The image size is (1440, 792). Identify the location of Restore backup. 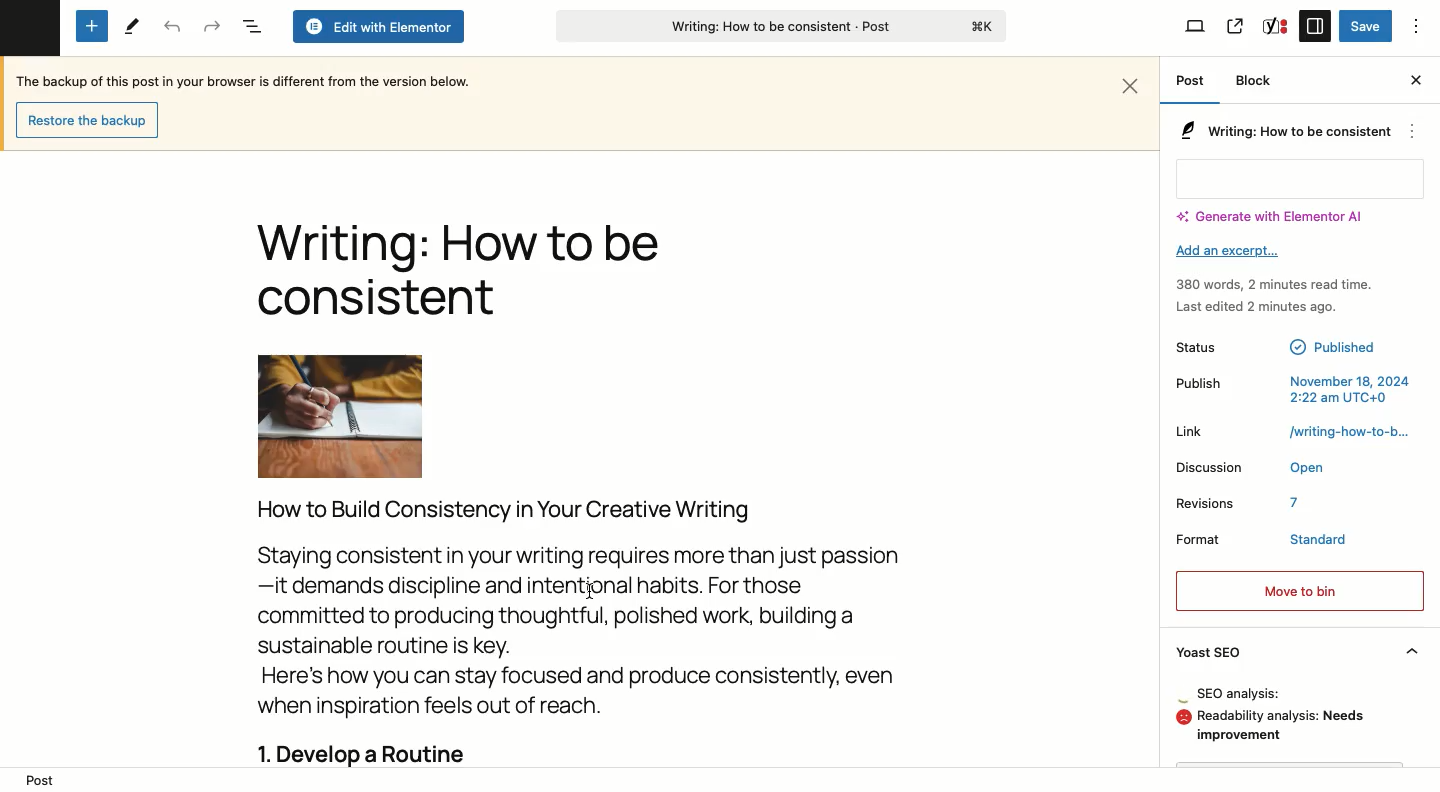
(85, 119).